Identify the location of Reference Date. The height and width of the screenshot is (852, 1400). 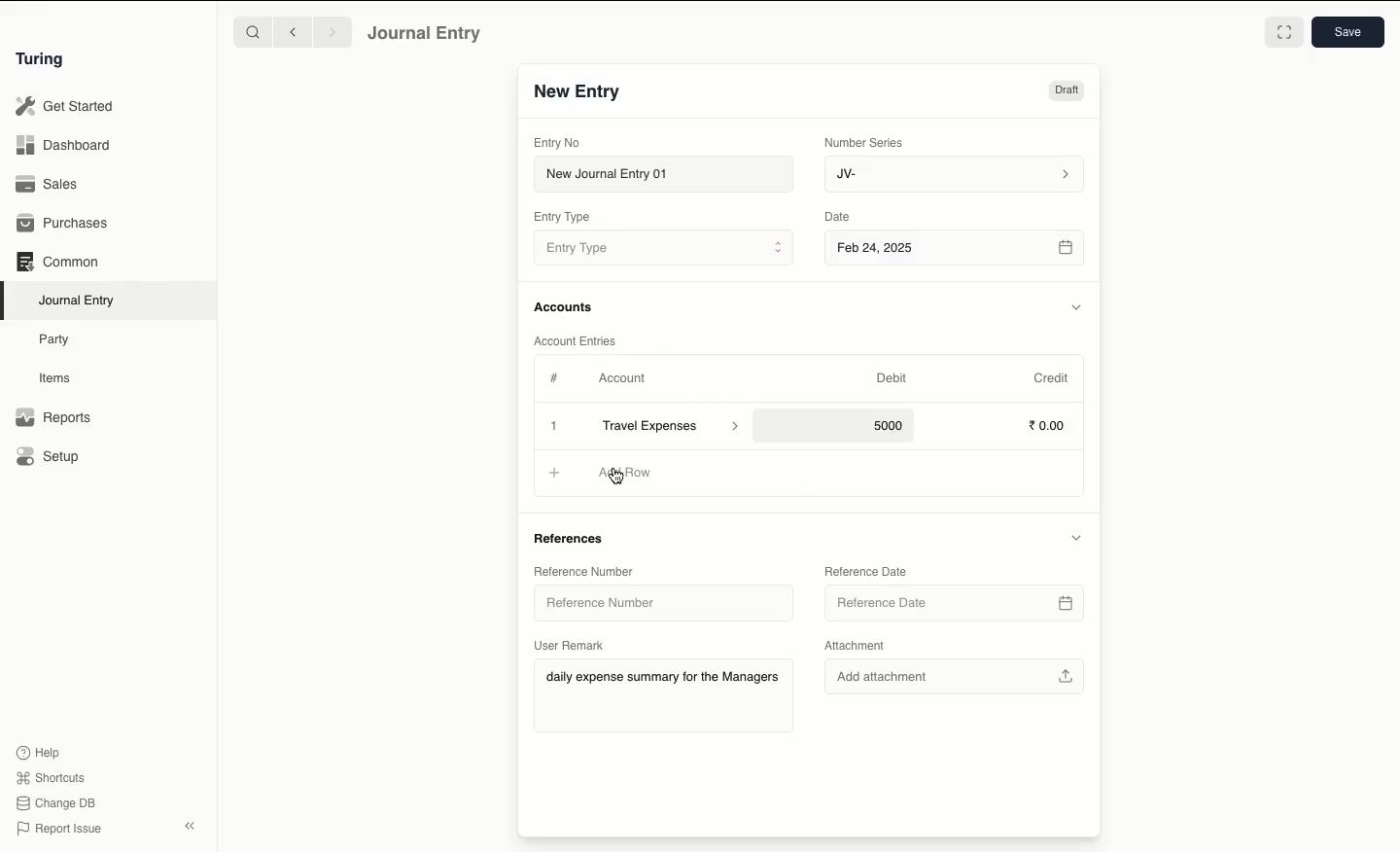
(957, 598).